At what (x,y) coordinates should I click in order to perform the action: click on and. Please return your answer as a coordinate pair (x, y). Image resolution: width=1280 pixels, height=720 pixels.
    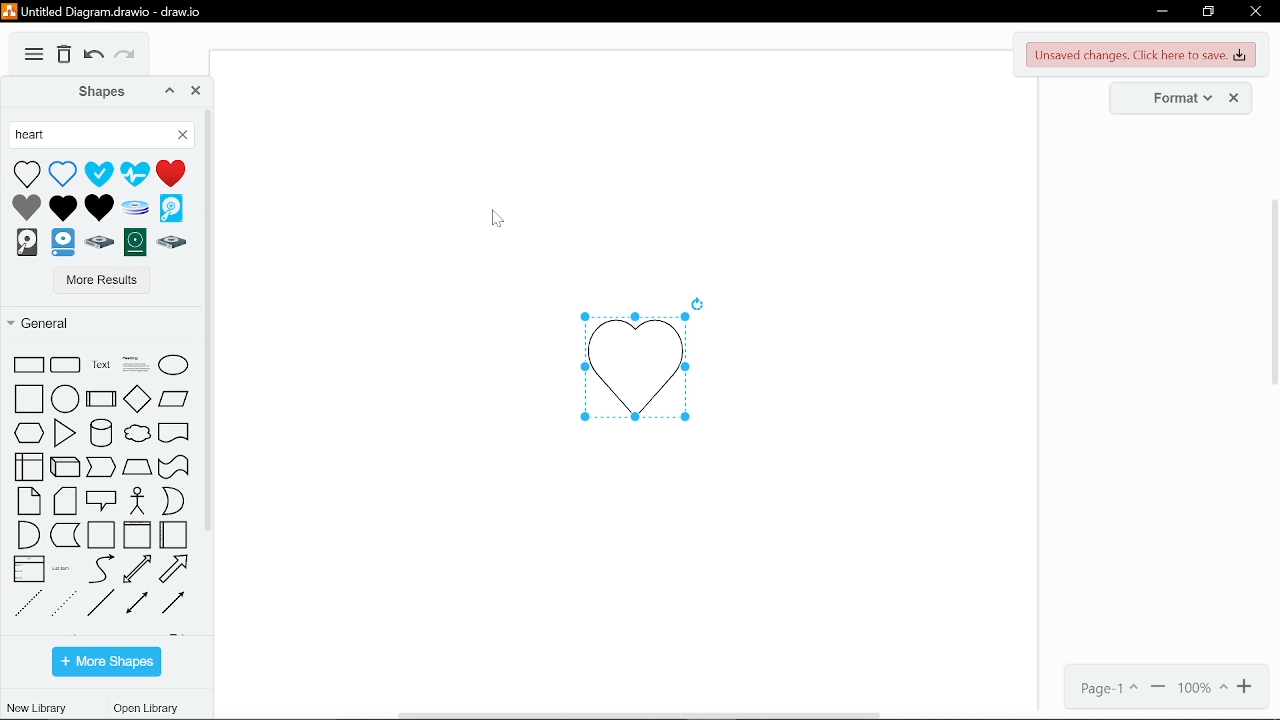
    Looking at the image, I should click on (28, 536).